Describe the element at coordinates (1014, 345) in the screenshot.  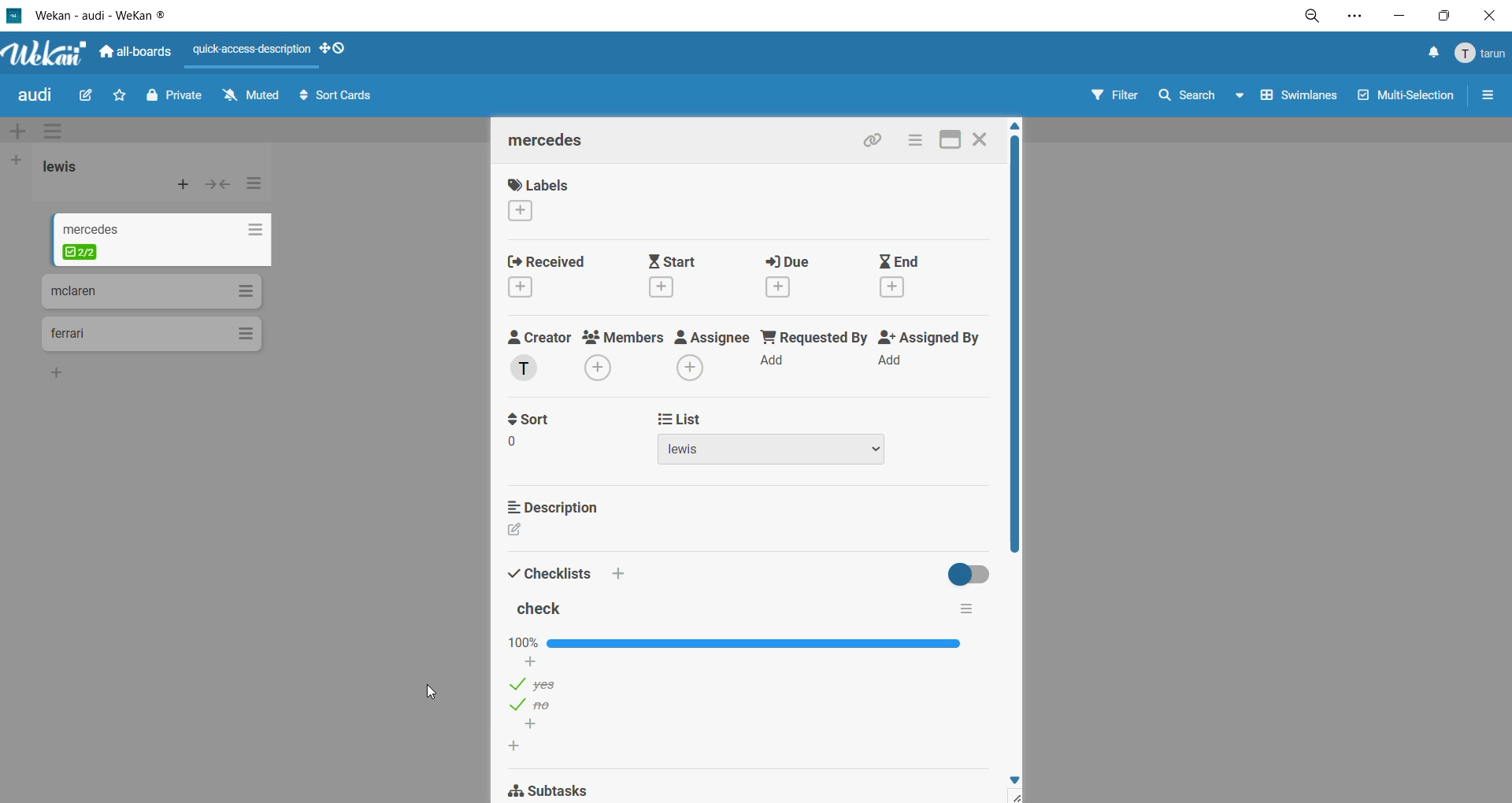
I see `vertical scroll bar` at that location.